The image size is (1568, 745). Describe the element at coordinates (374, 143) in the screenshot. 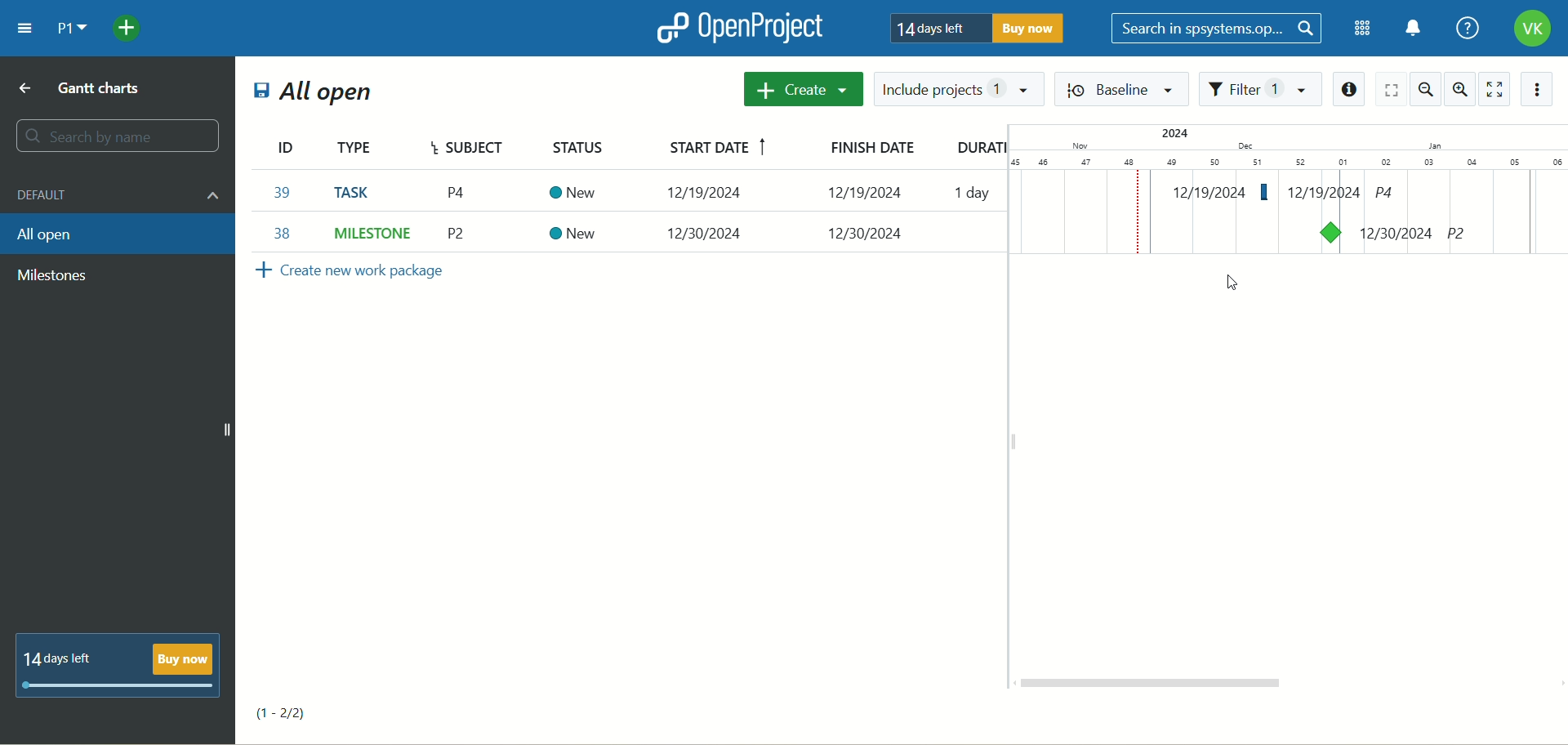

I see `type` at that location.